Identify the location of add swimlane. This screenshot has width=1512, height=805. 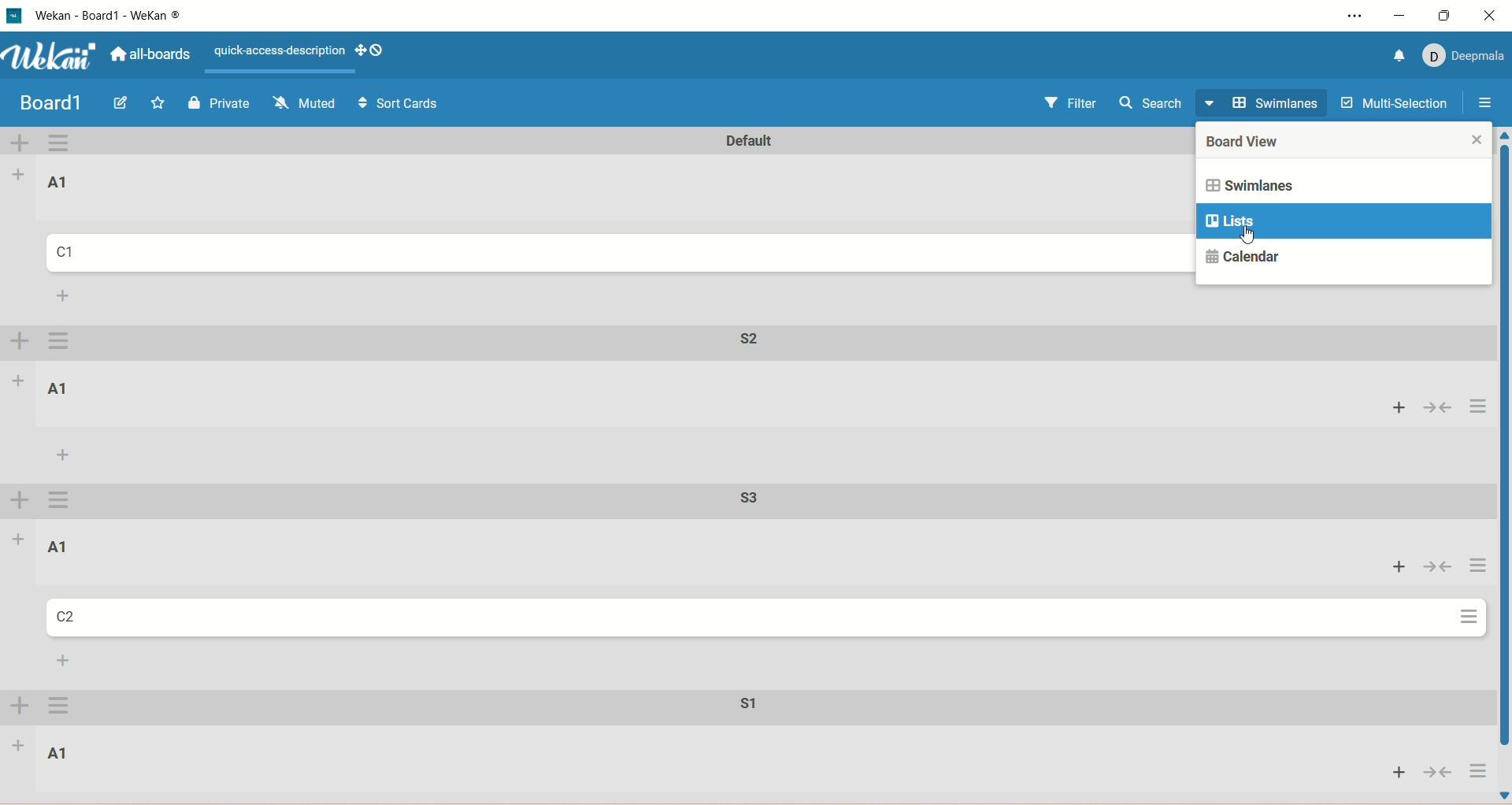
(18, 343).